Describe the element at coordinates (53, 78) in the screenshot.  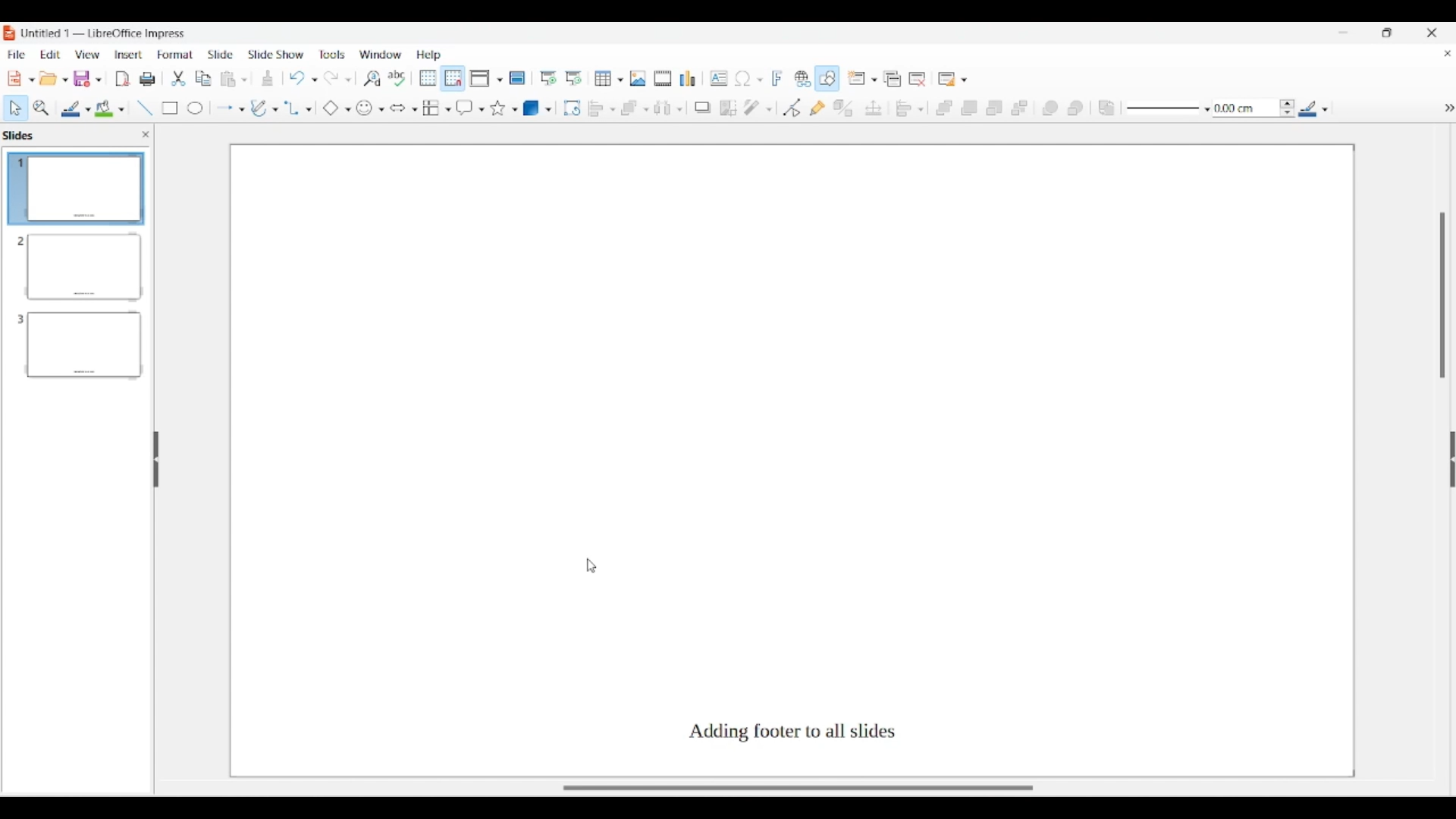
I see `Open document options` at that location.